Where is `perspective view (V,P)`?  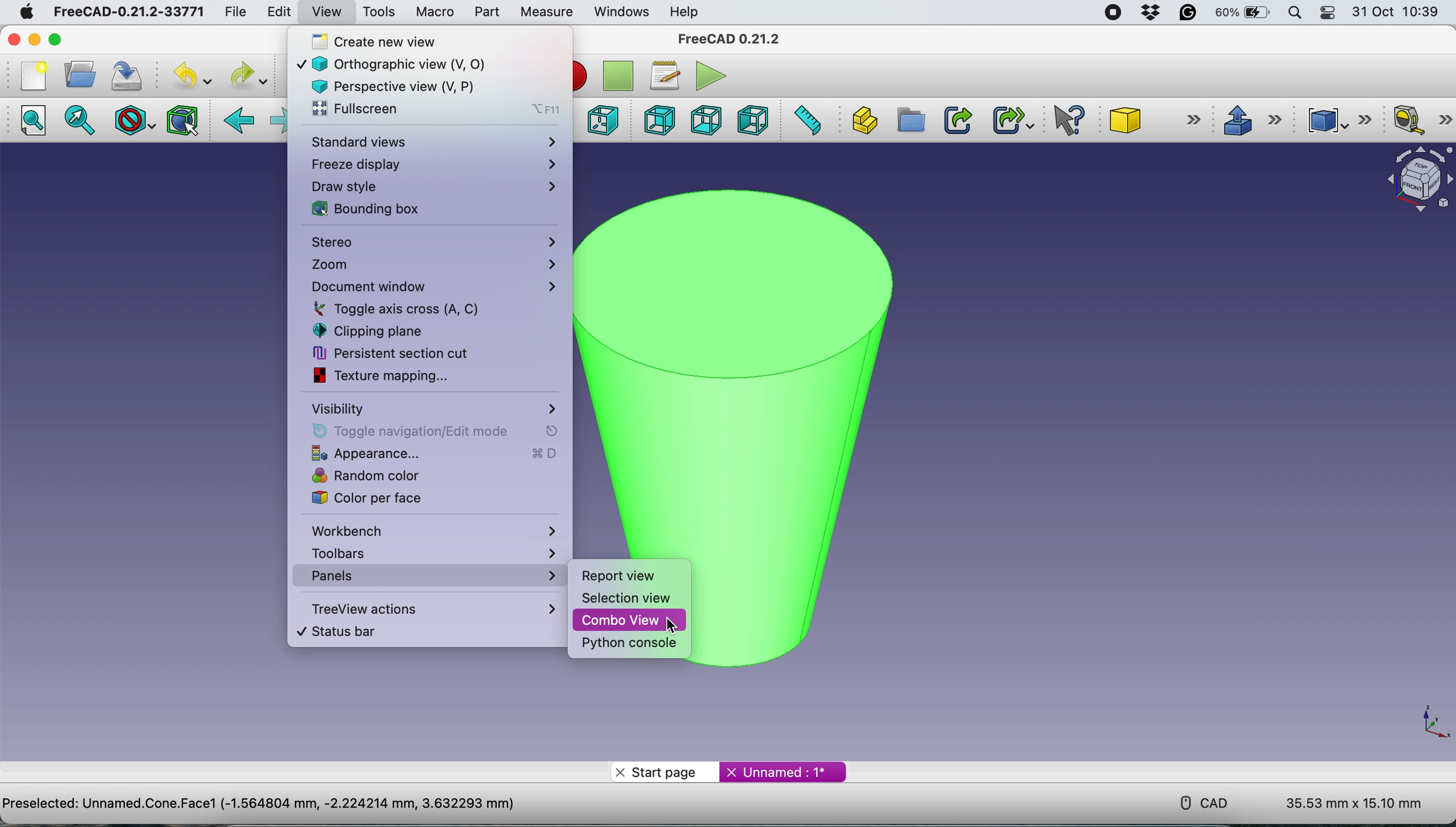
perspective view (V,P) is located at coordinates (407, 85).